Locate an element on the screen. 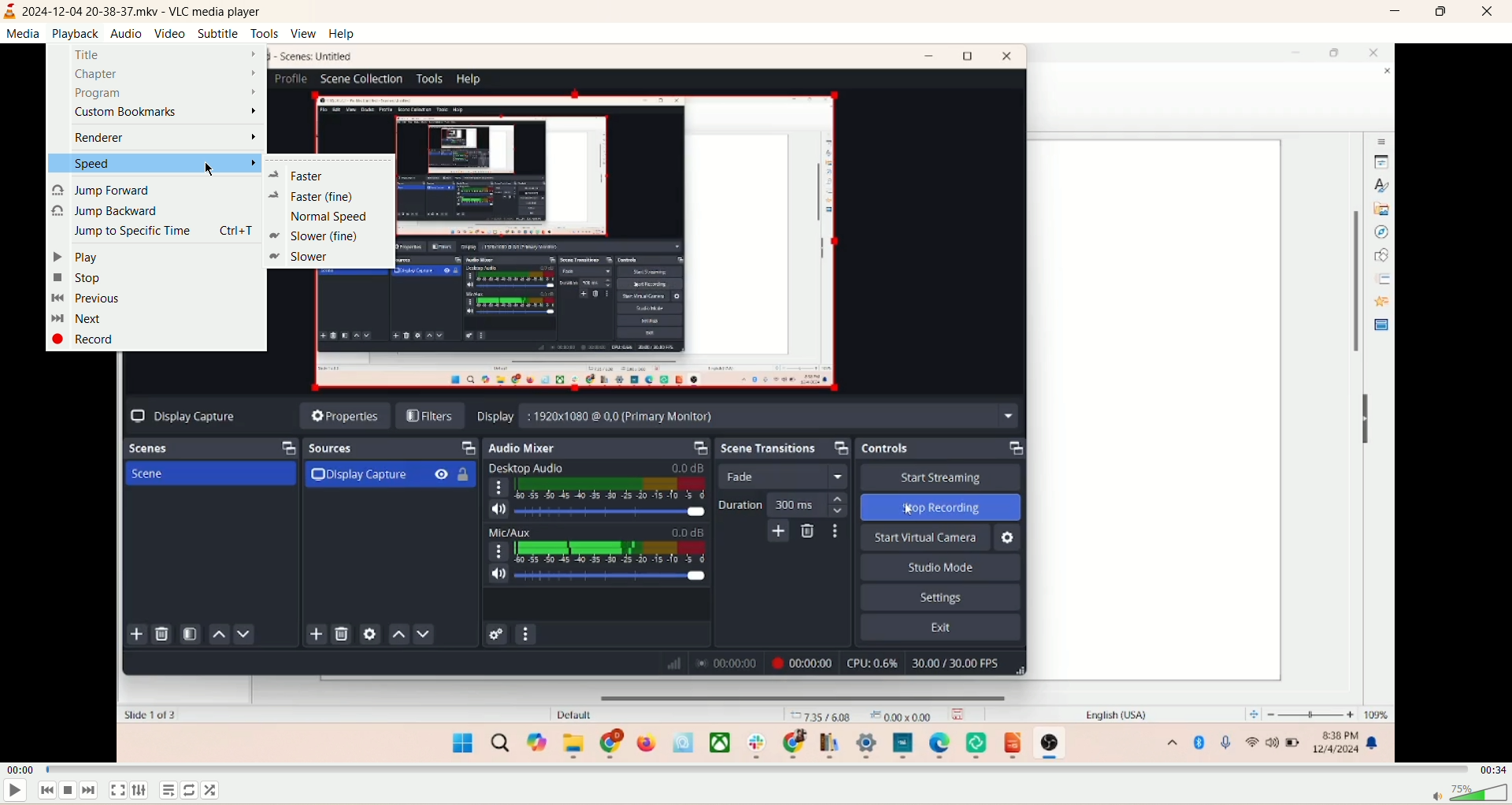 This screenshot has height=805, width=1512. jump to specific time is located at coordinates (165, 229).